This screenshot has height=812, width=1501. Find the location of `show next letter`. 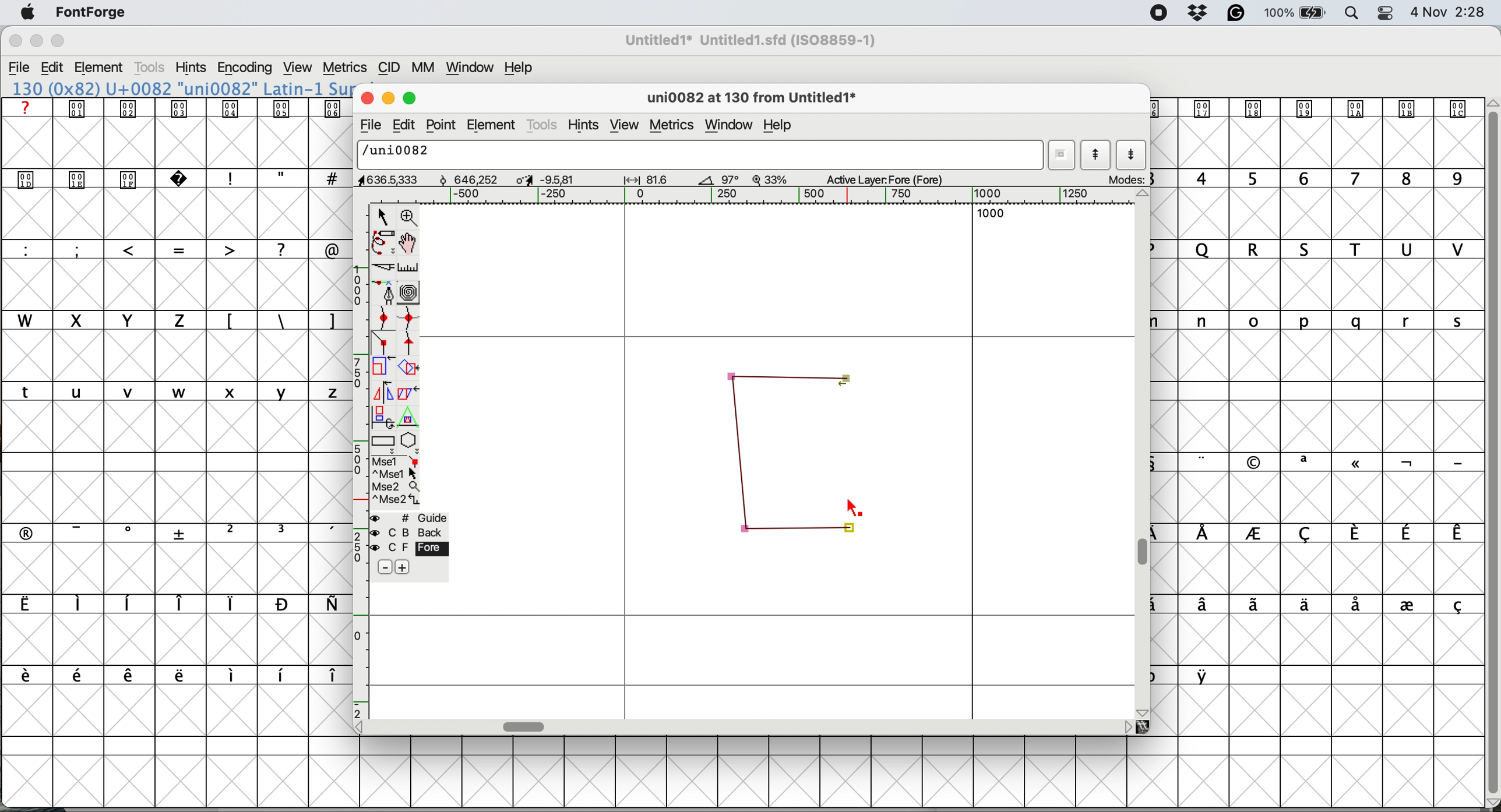

show next letter is located at coordinates (1132, 156).